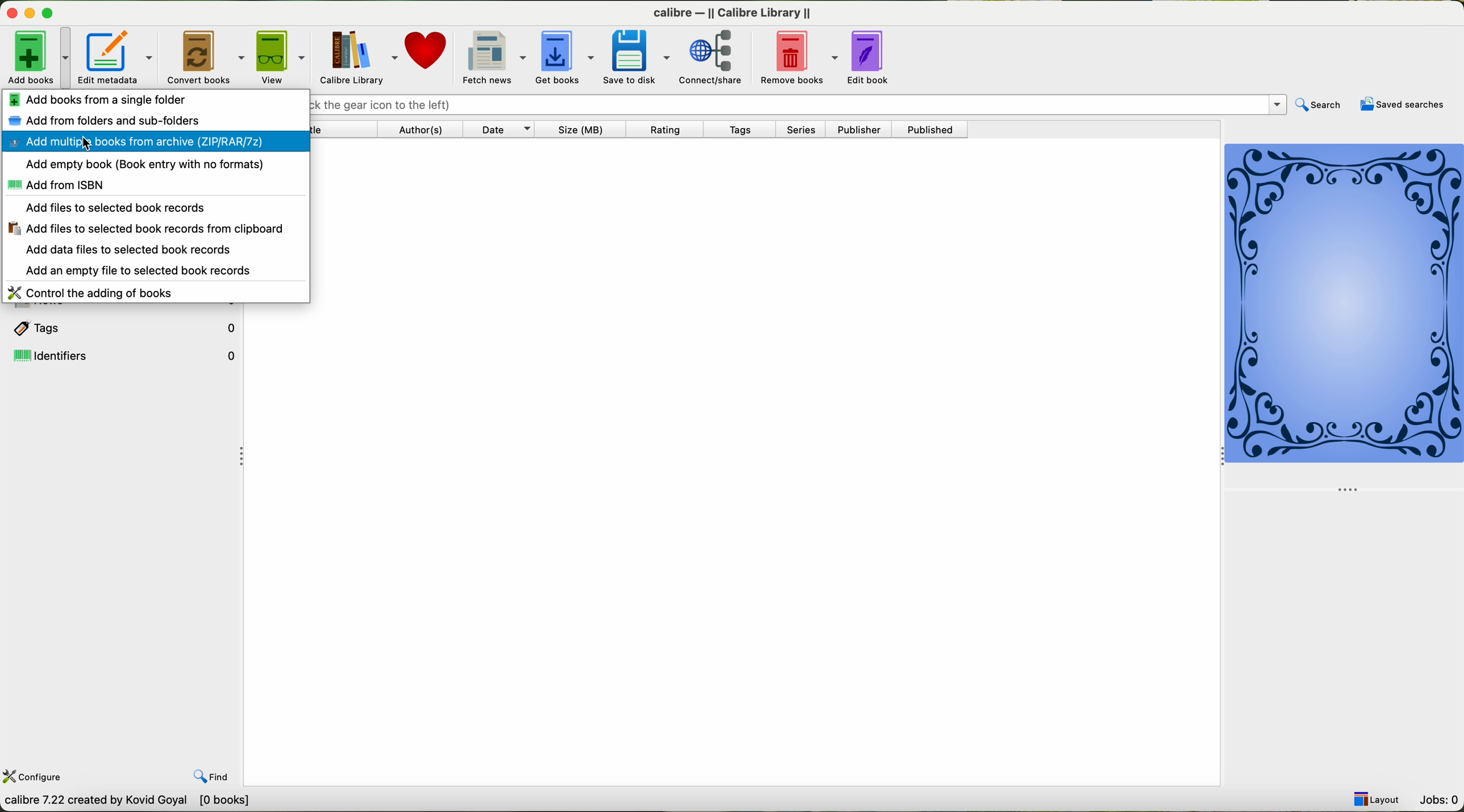  Describe the element at coordinates (935, 129) in the screenshot. I see `published` at that location.